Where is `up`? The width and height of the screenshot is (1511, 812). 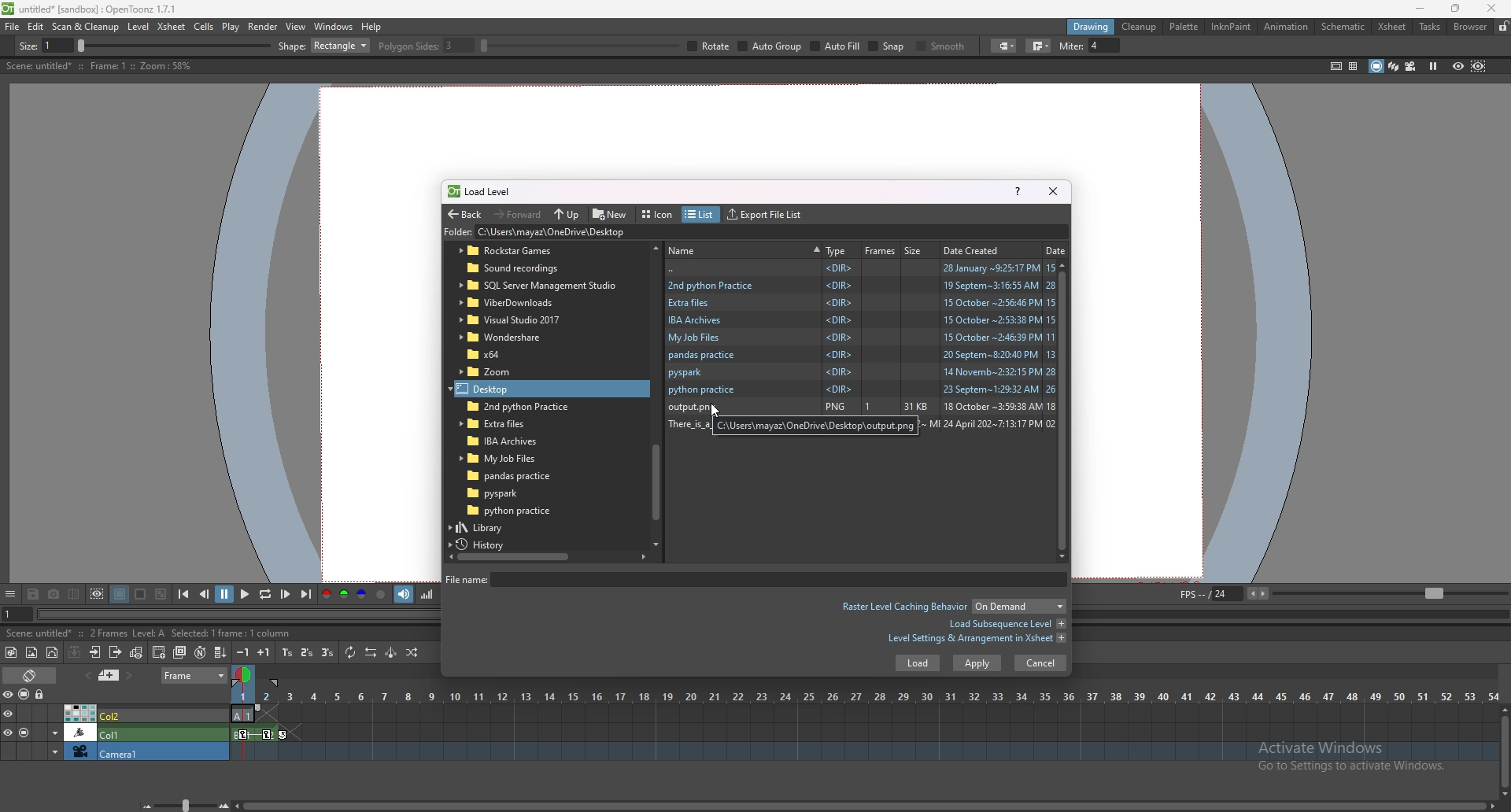
up is located at coordinates (567, 215).